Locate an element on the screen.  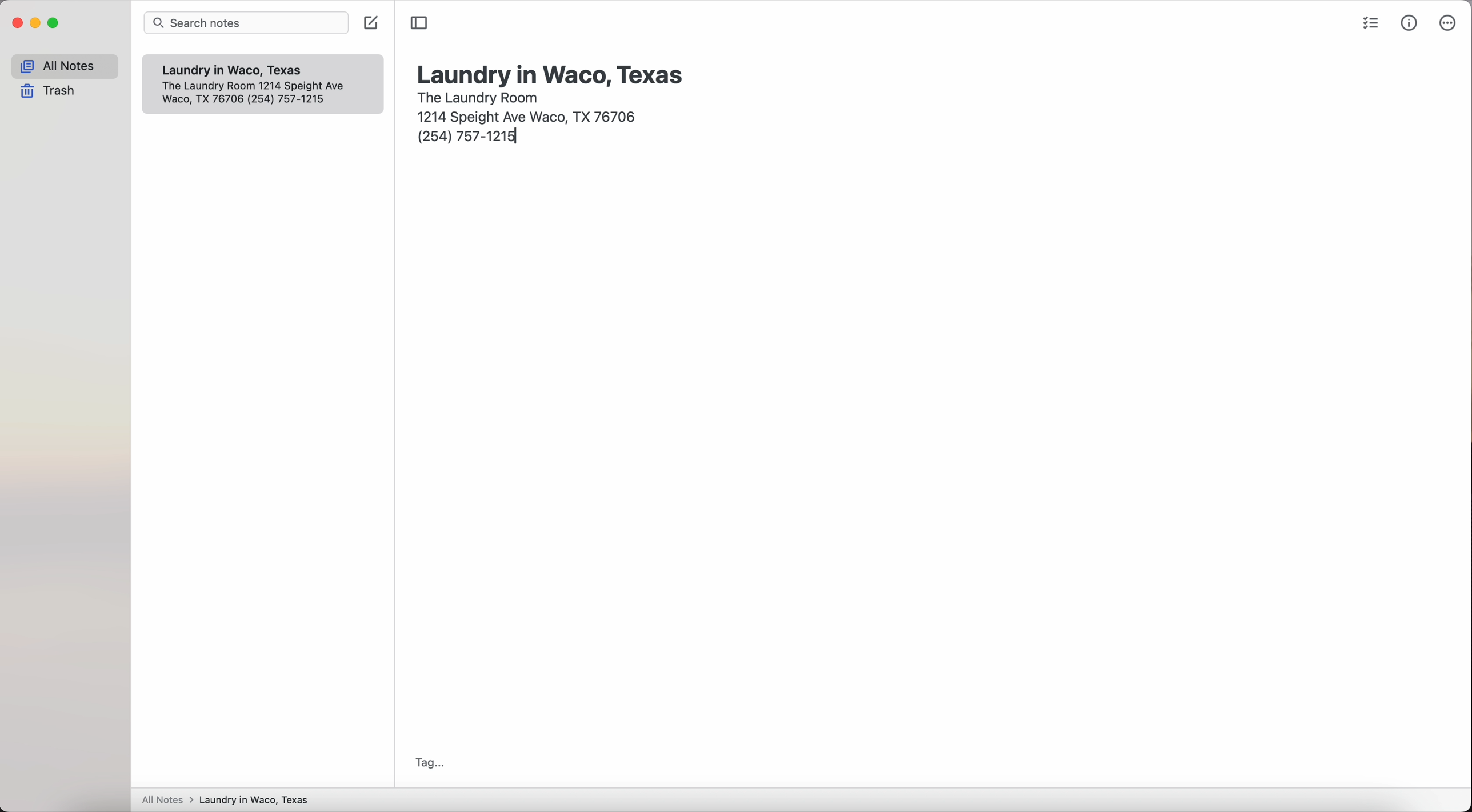
maximize app is located at coordinates (54, 23).